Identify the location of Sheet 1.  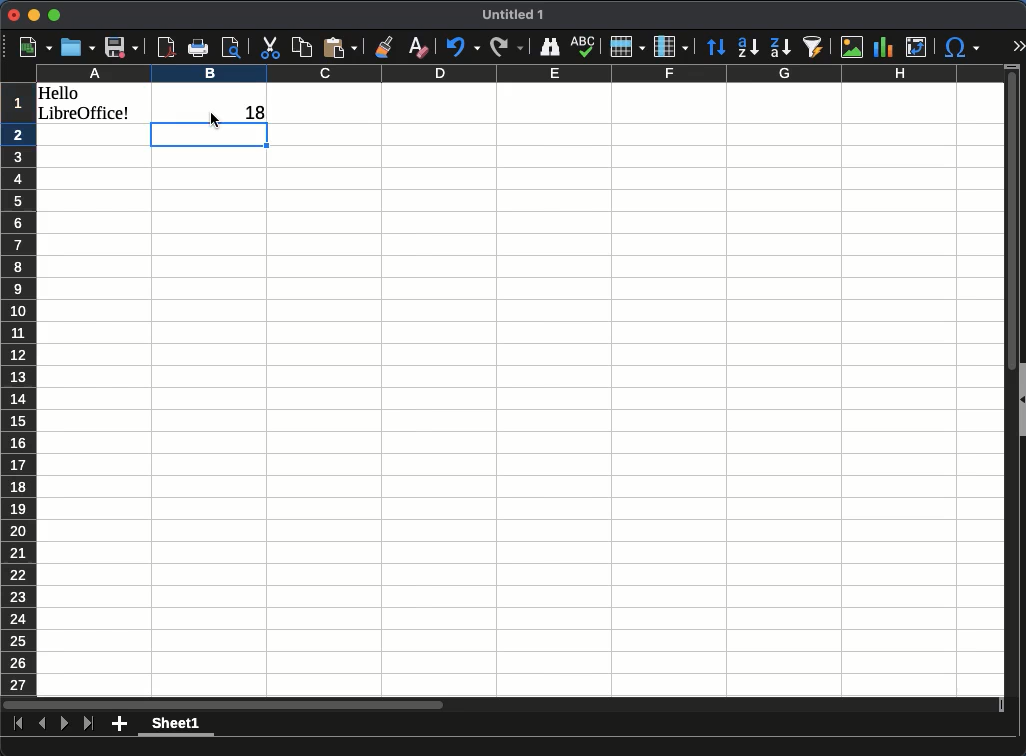
(176, 726).